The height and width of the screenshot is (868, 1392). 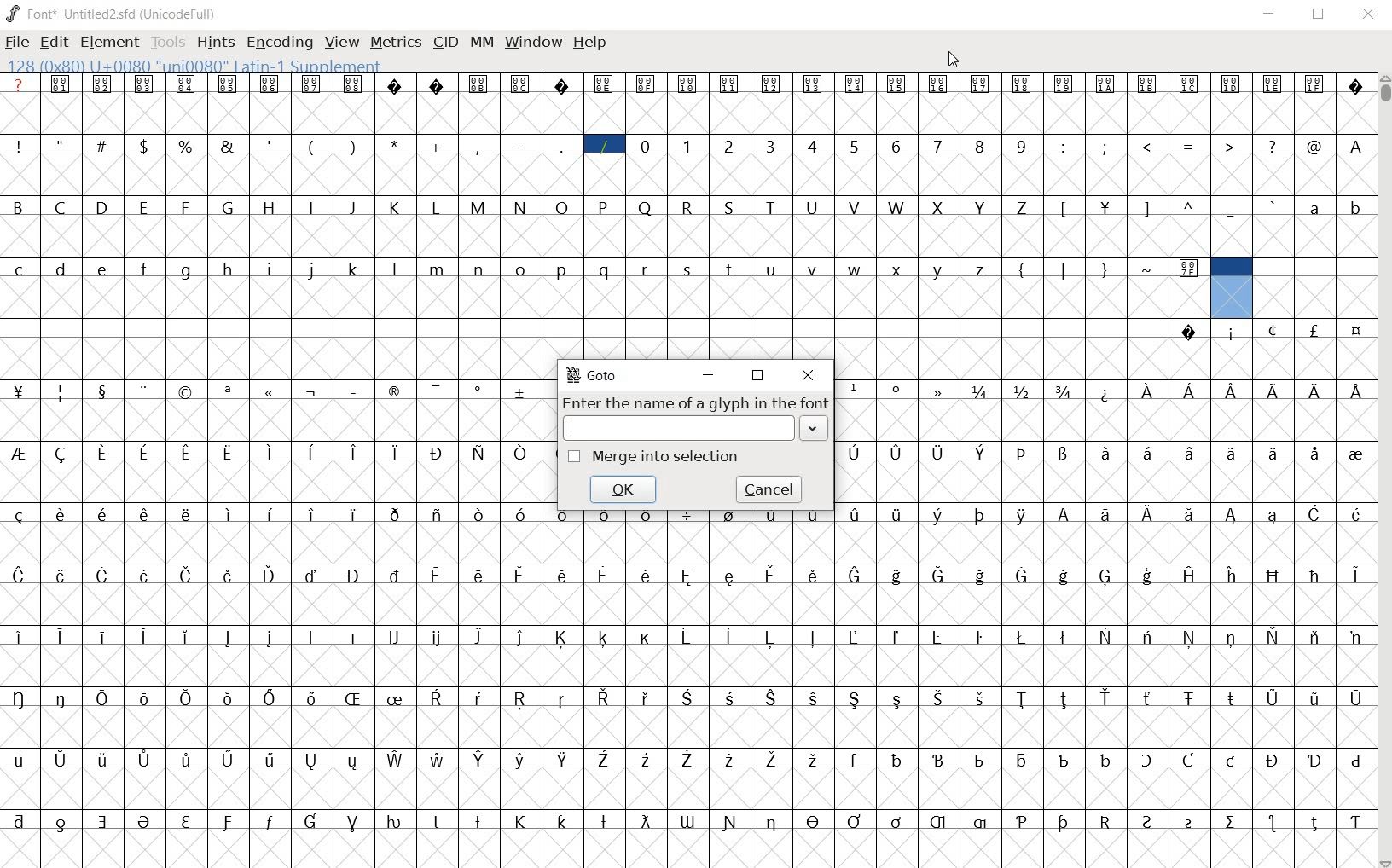 I want to click on Symbol, so click(x=606, y=760).